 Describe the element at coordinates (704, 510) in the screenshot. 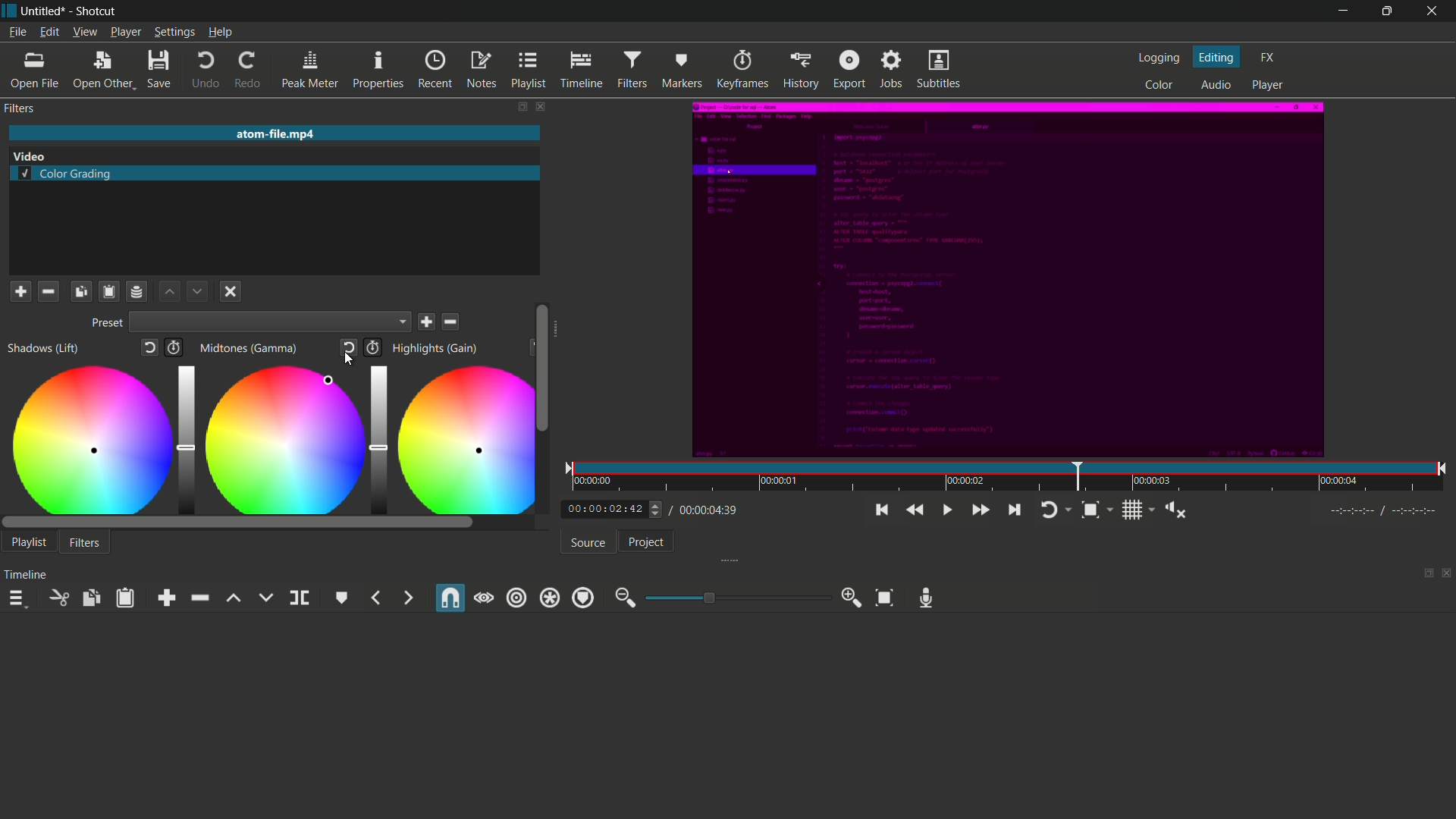

I see `total time` at that location.